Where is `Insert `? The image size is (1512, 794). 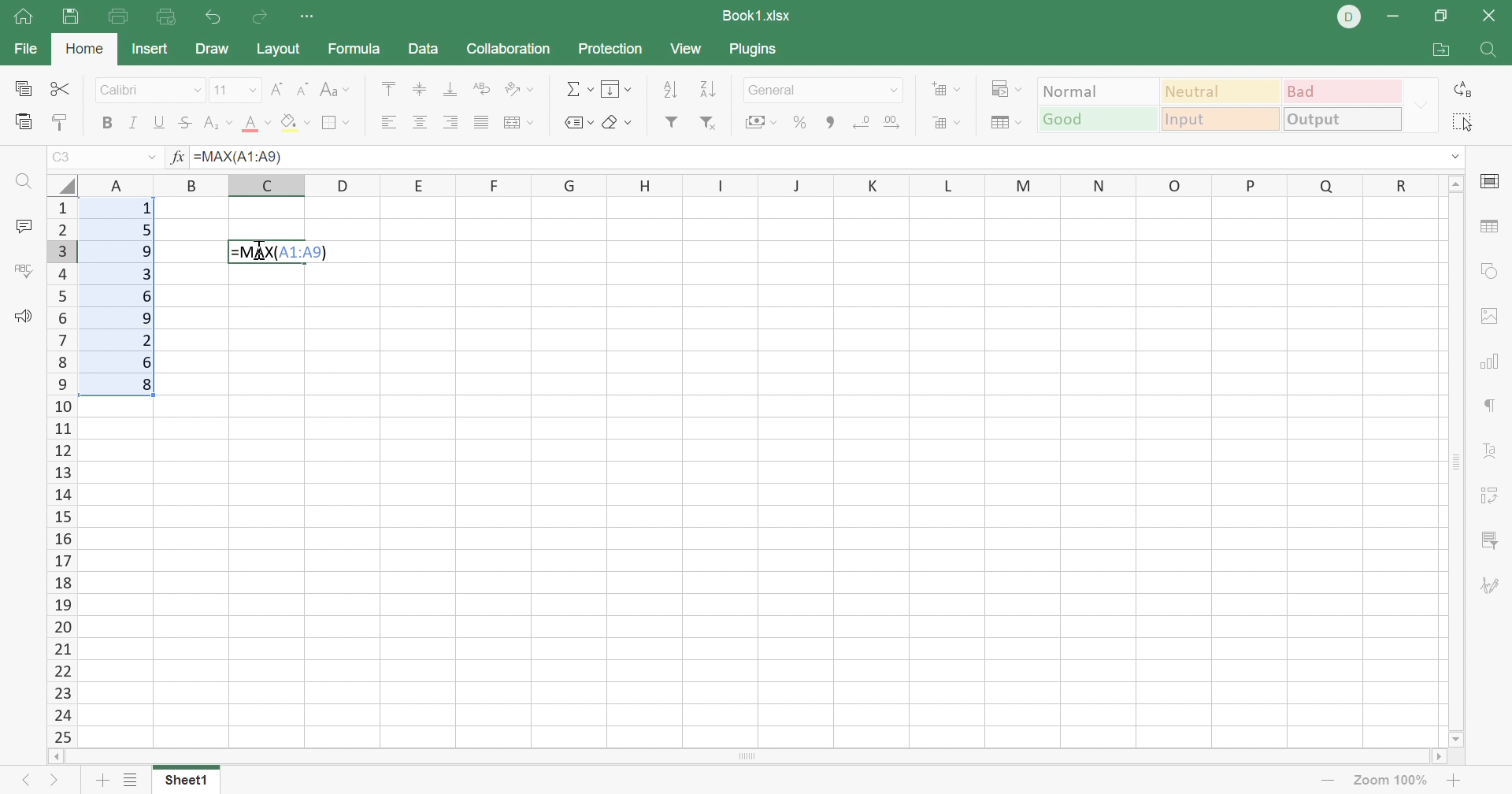 Insert  is located at coordinates (947, 88).